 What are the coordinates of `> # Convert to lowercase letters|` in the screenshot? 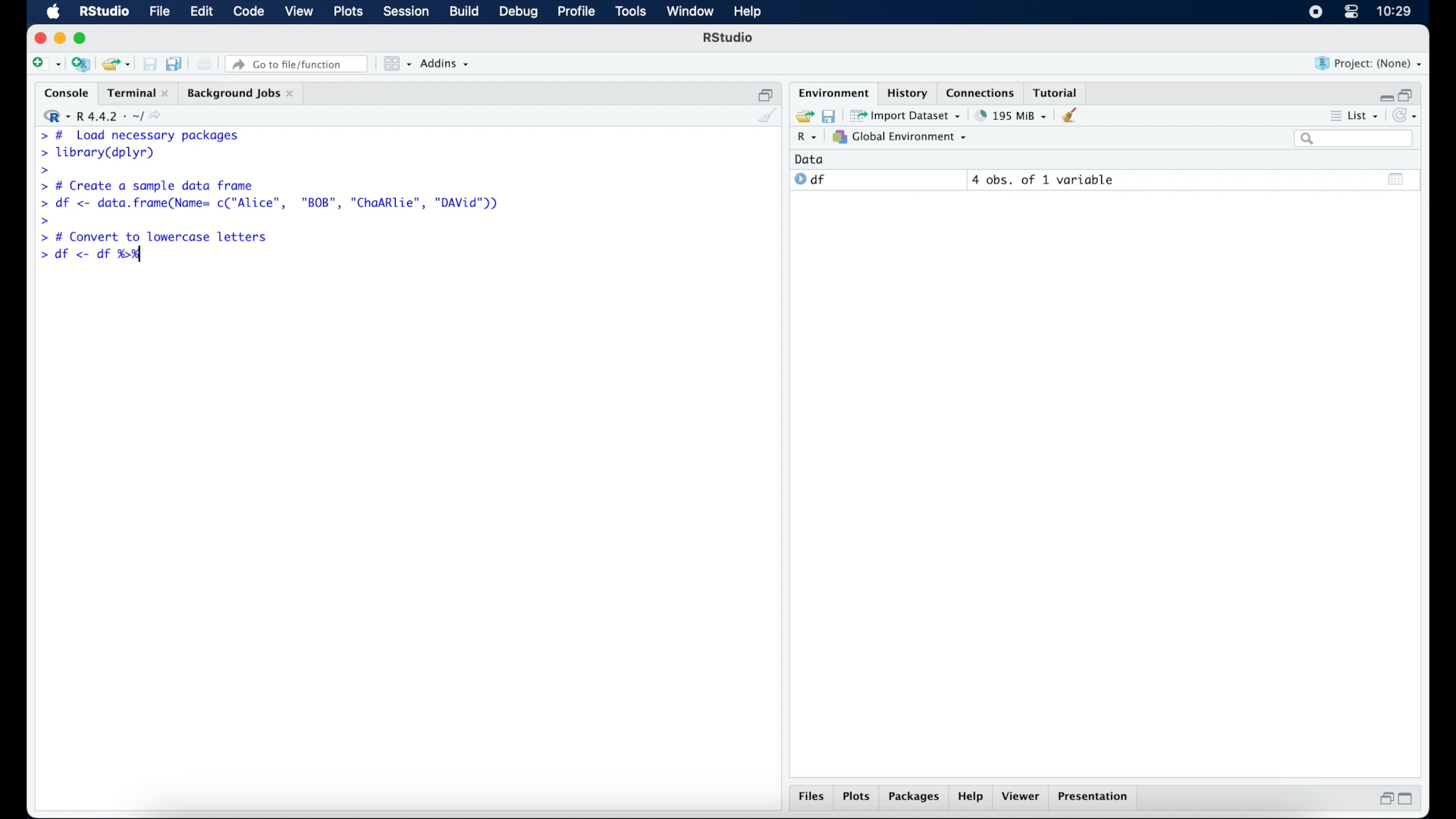 It's located at (155, 237).